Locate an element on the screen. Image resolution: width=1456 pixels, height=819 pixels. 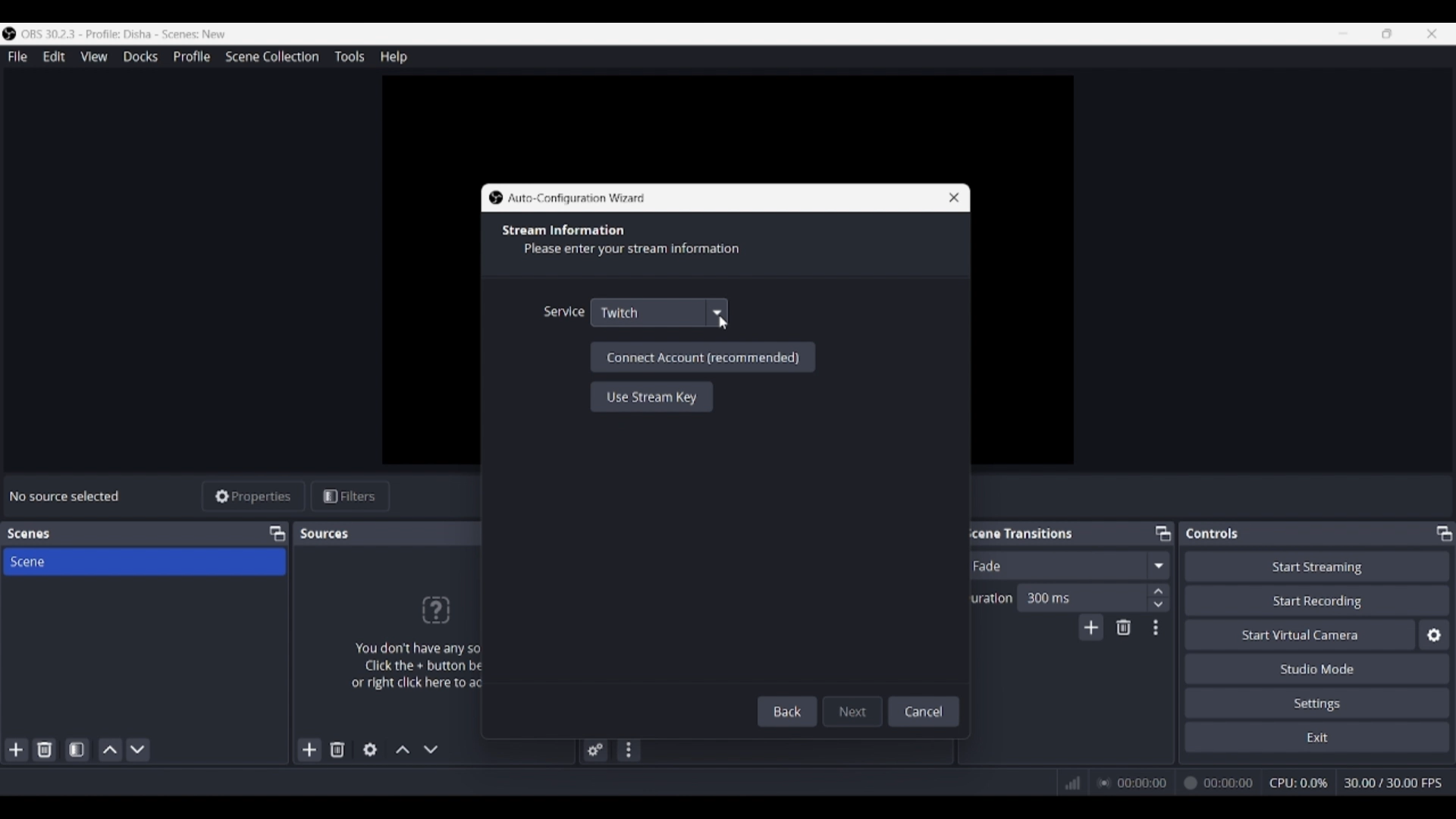
Studio mode is located at coordinates (1317, 668).